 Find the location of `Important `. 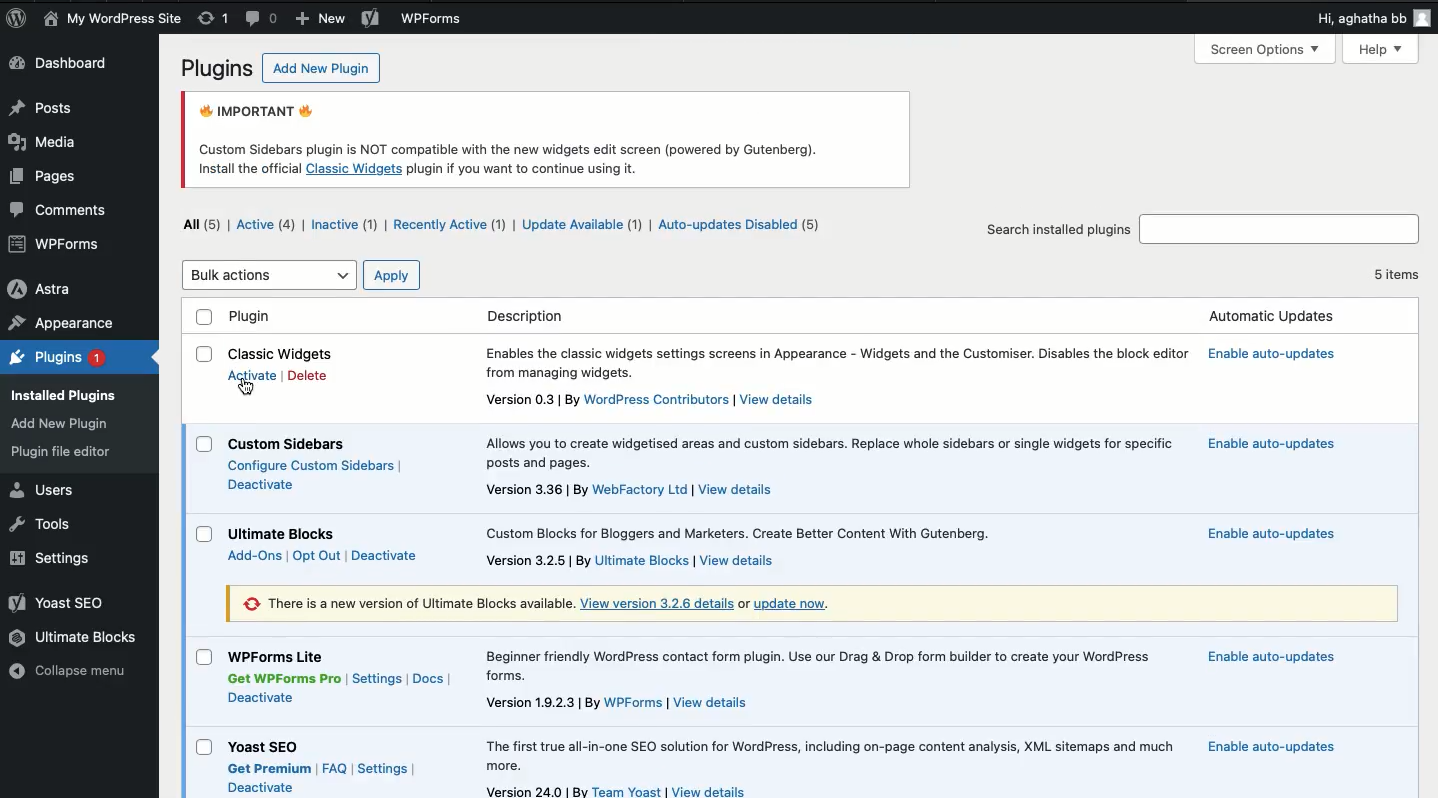

Important  is located at coordinates (511, 126).